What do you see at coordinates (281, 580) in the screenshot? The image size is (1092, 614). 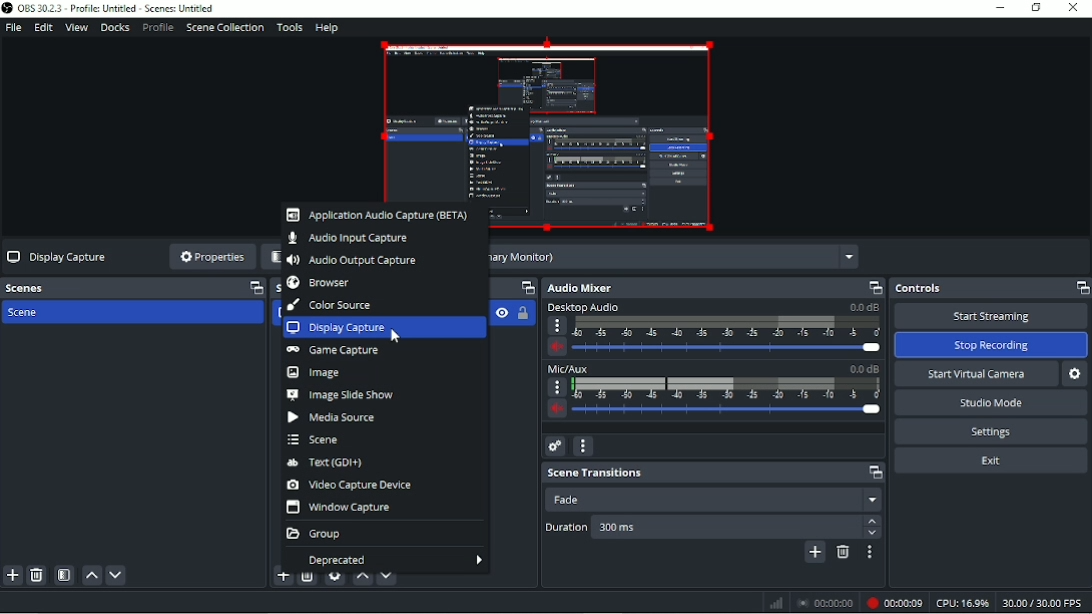 I see `Add source` at bounding box center [281, 580].